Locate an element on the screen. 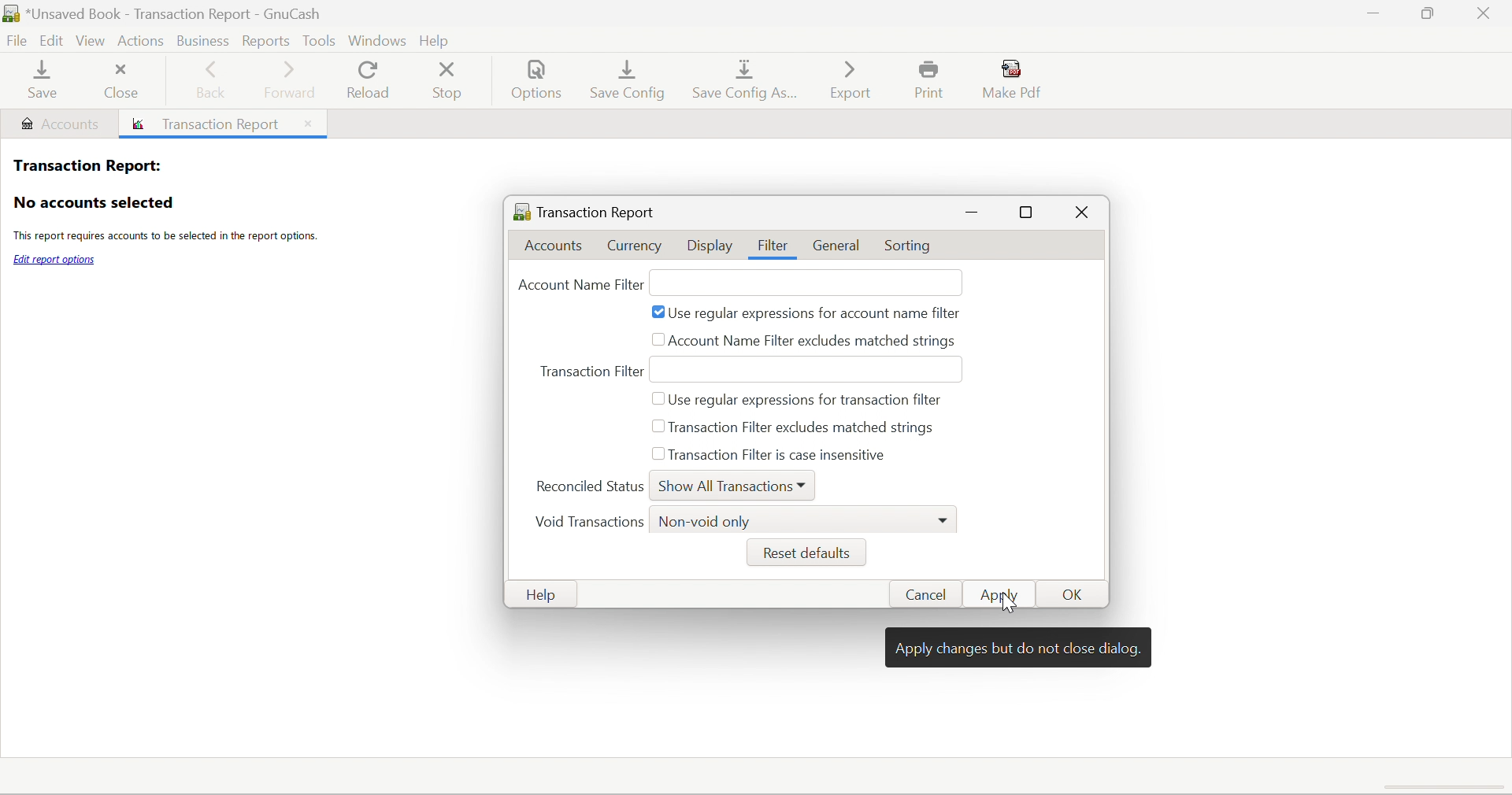 The width and height of the screenshot is (1512, 795). Close is located at coordinates (1486, 13).